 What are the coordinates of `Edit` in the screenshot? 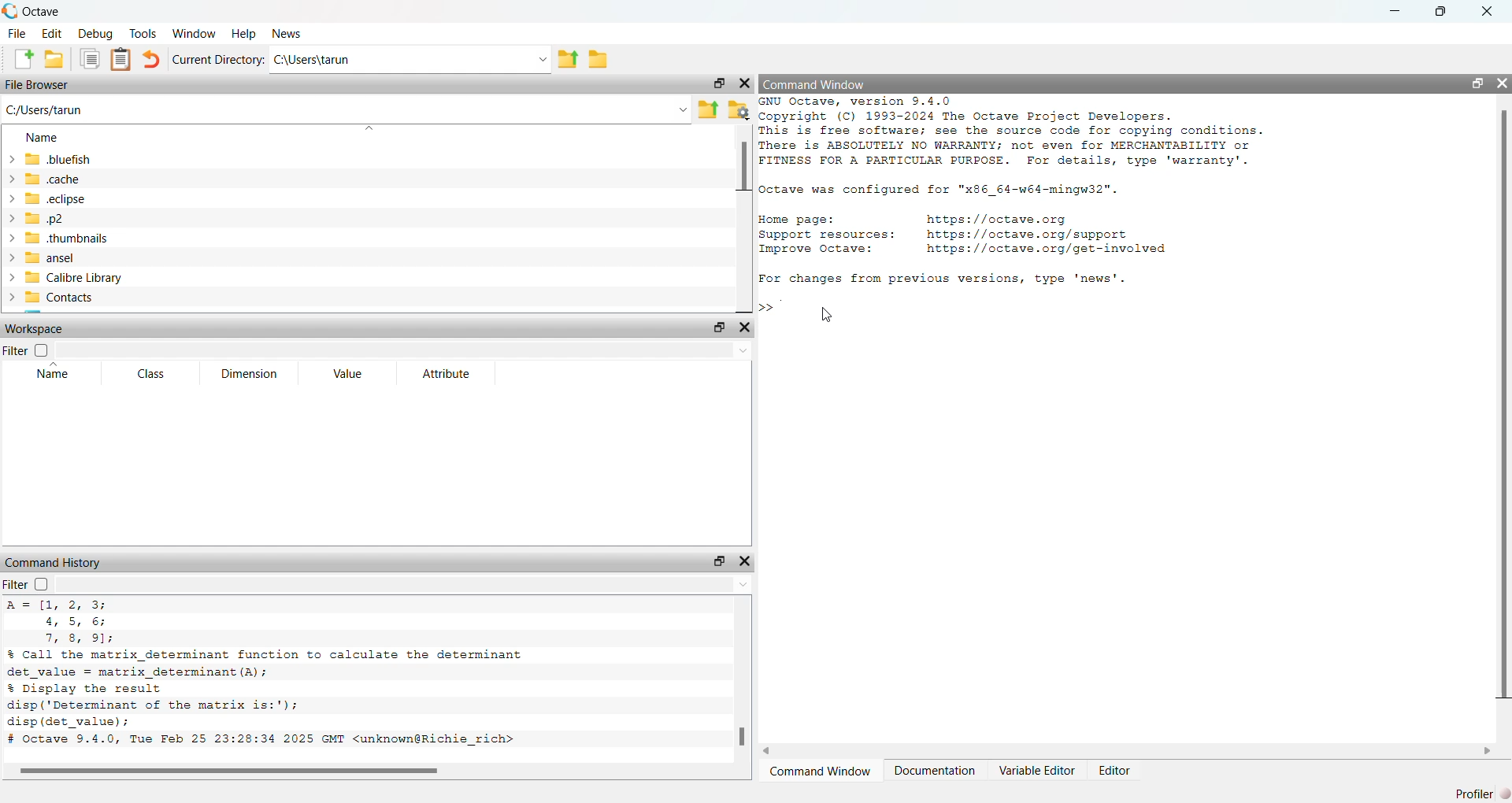 It's located at (54, 34).